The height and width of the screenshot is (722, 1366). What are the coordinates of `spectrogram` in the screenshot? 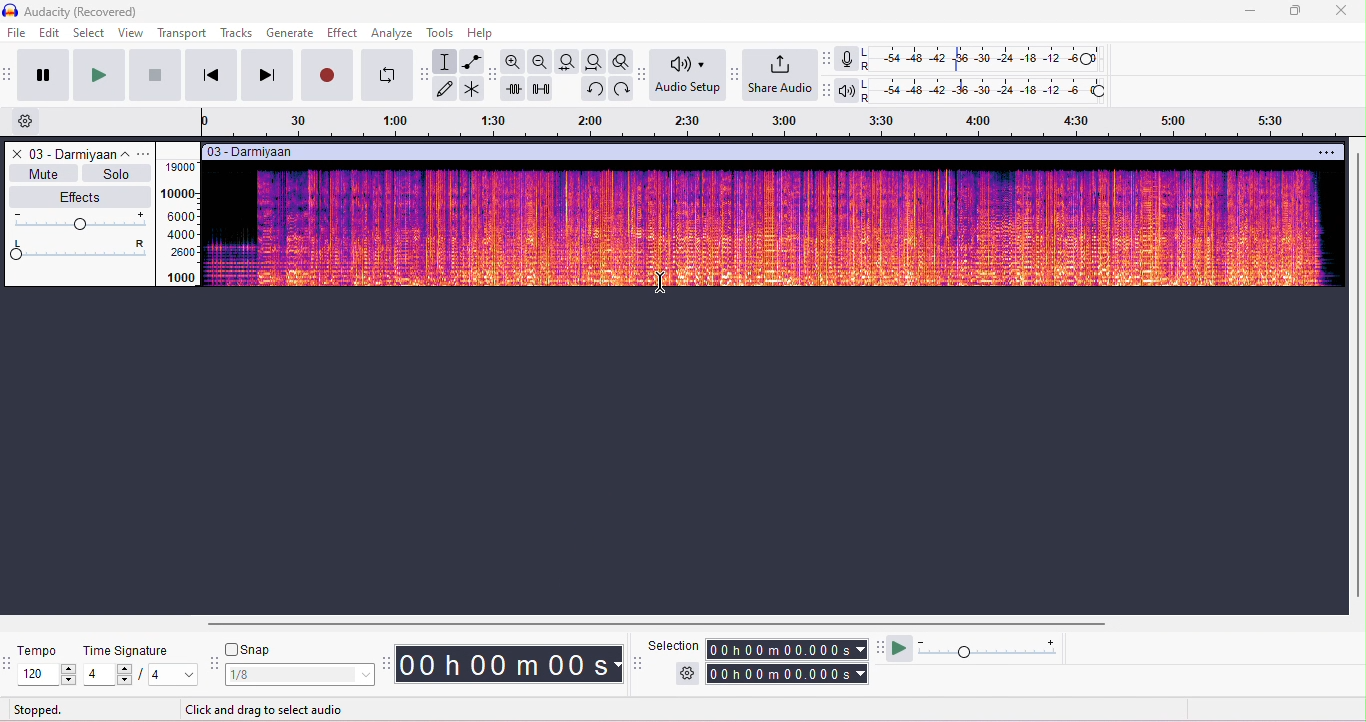 It's located at (774, 224).